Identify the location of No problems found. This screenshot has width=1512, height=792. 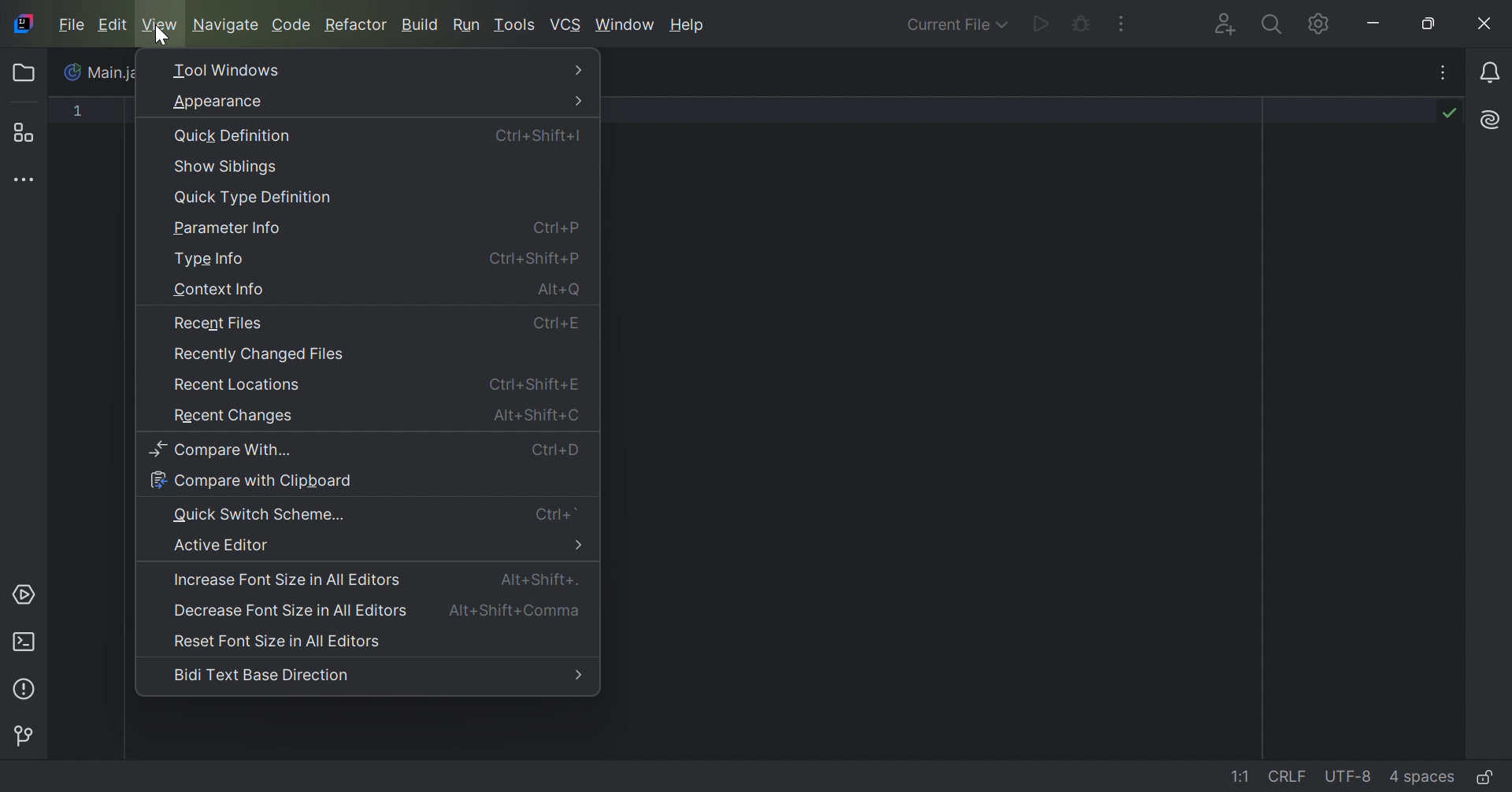
(1447, 113).